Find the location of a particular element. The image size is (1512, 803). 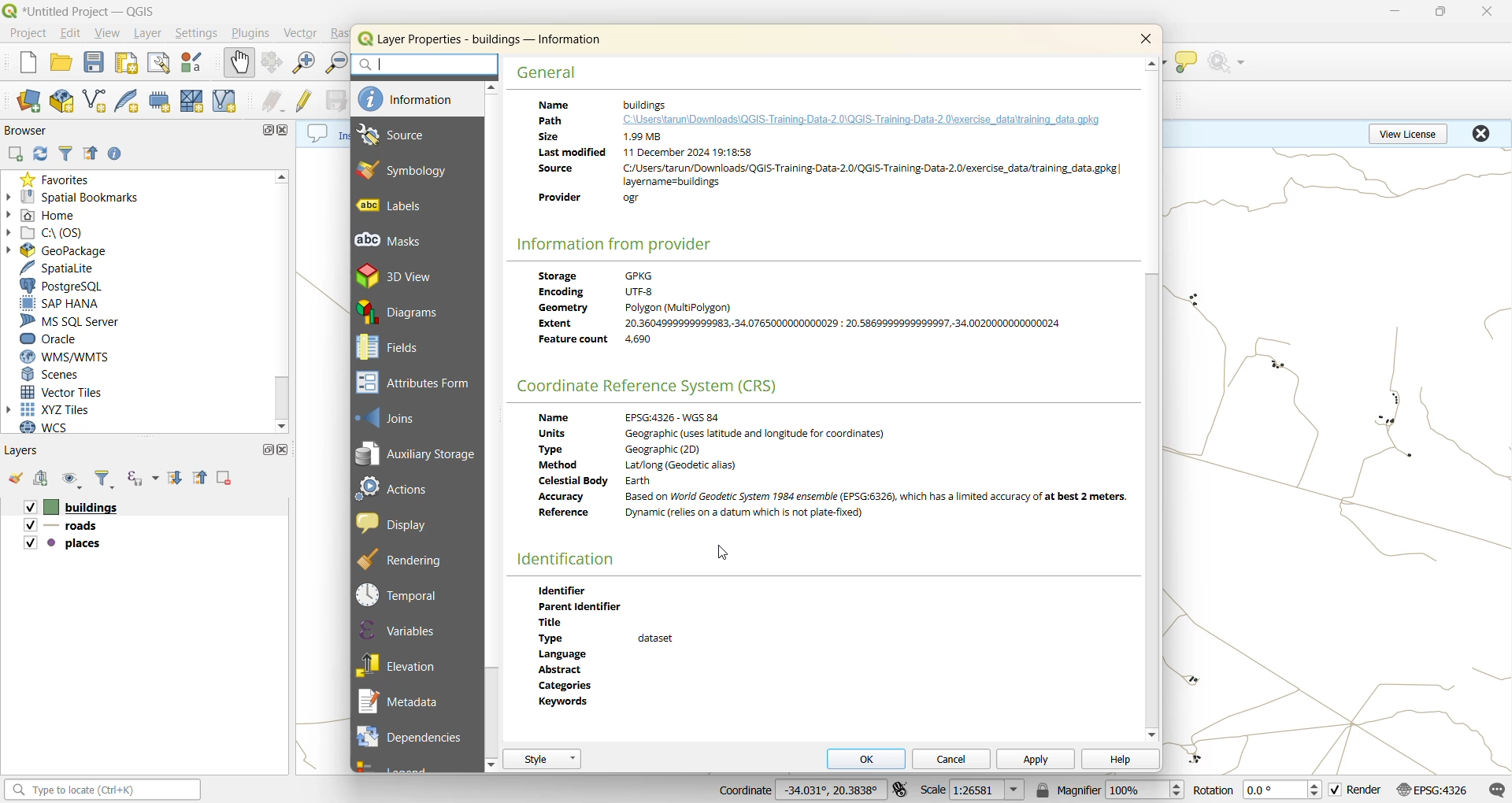

layer is located at coordinates (151, 34).